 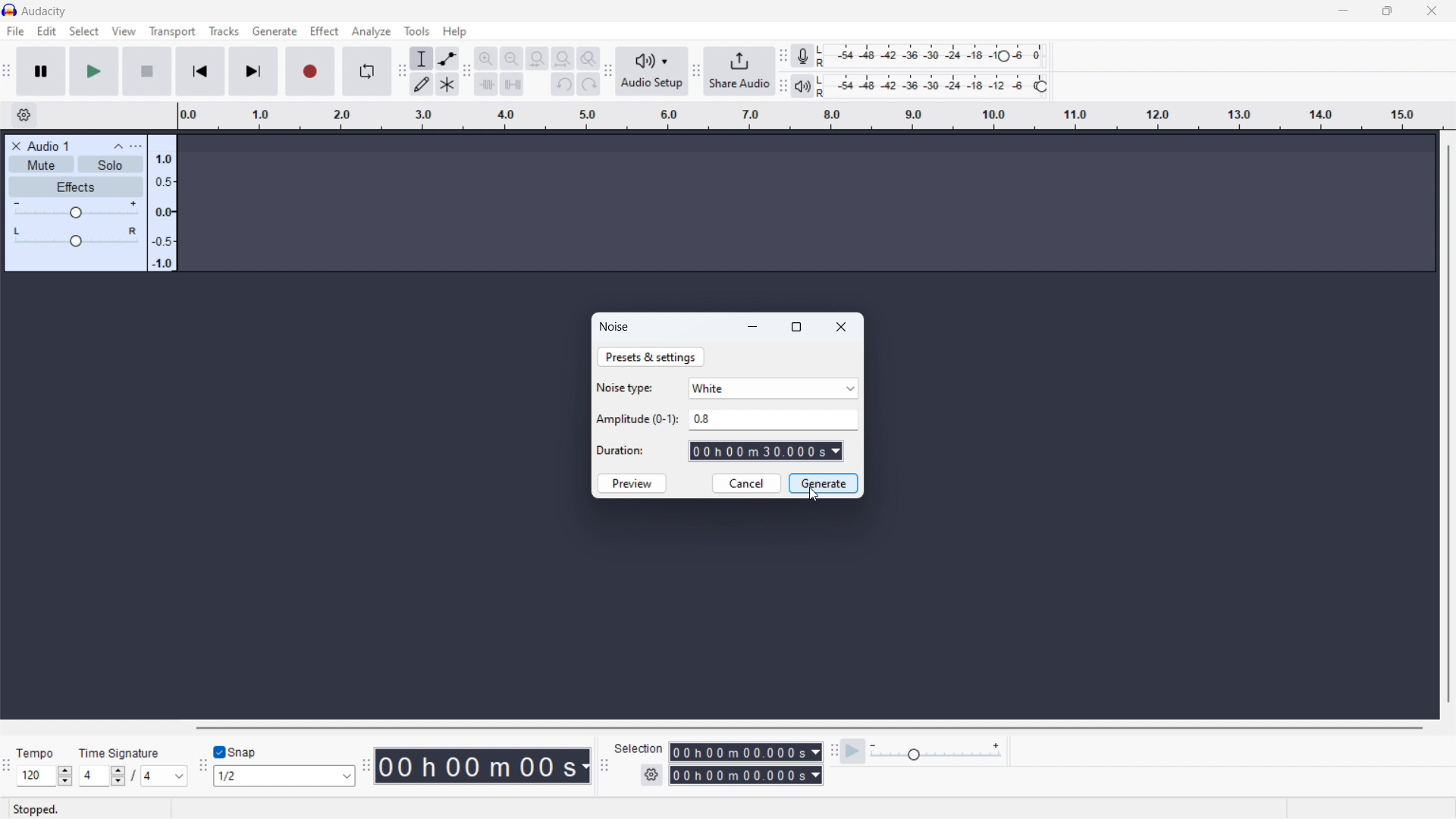 I want to click on play at speed toolbar, so click(x=834, y=750).